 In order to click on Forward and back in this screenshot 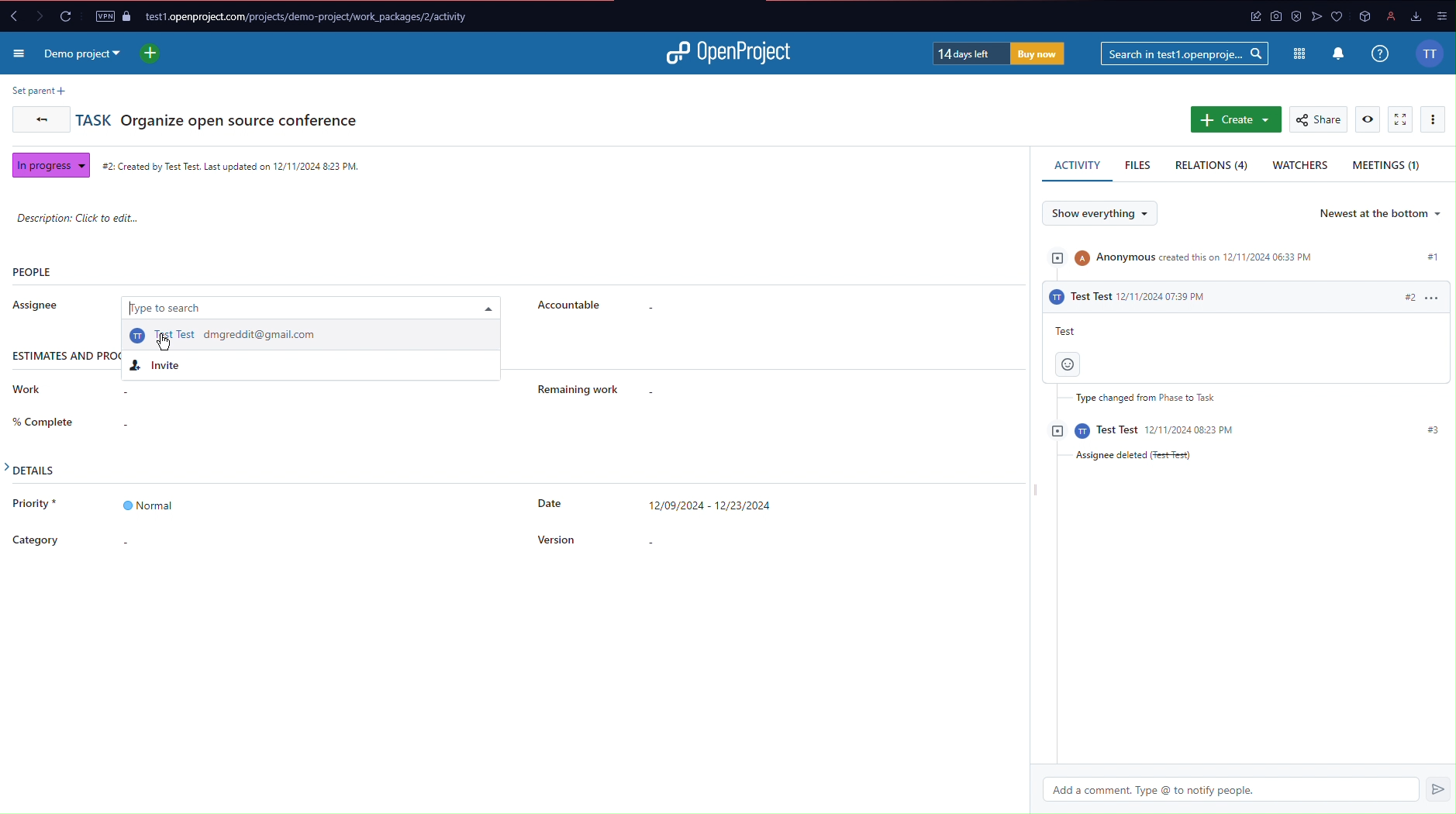, I will do `click(30, 17)`.